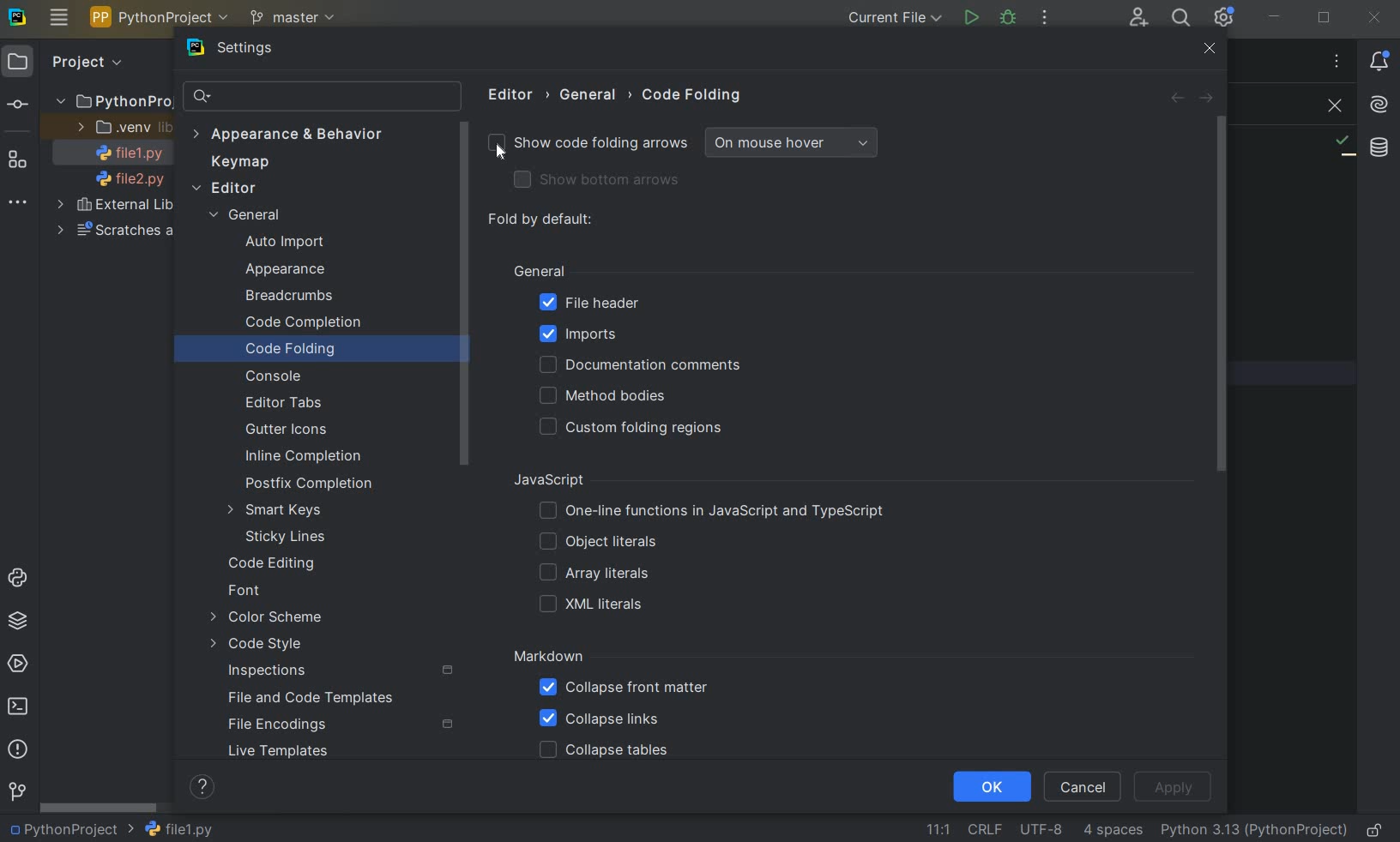 This screenshot has height=842, width=1400. I want to click on SYSTEM LOGO, so click(19, 18).